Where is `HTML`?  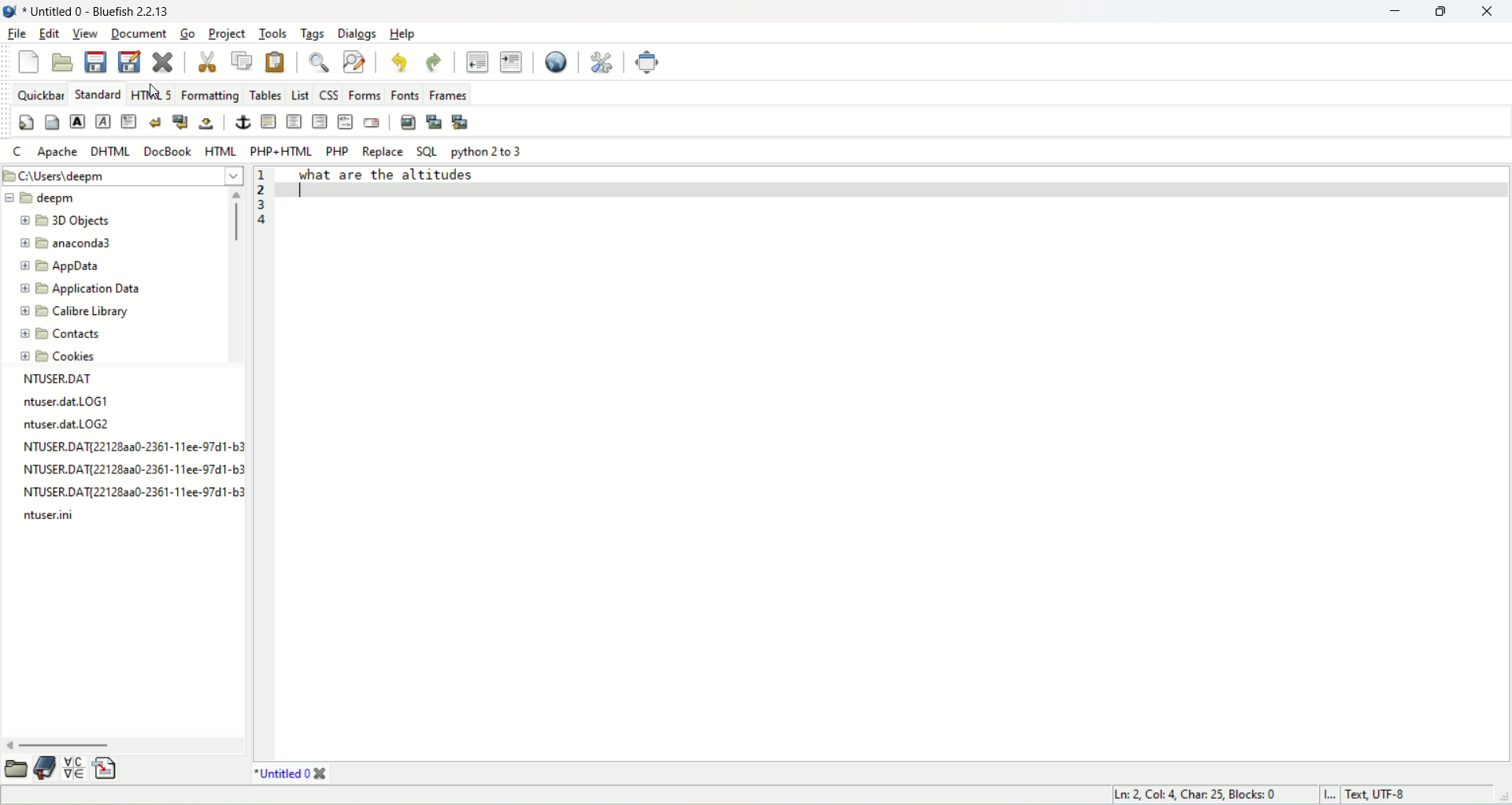
HTML is located at coordinates (152, 95).